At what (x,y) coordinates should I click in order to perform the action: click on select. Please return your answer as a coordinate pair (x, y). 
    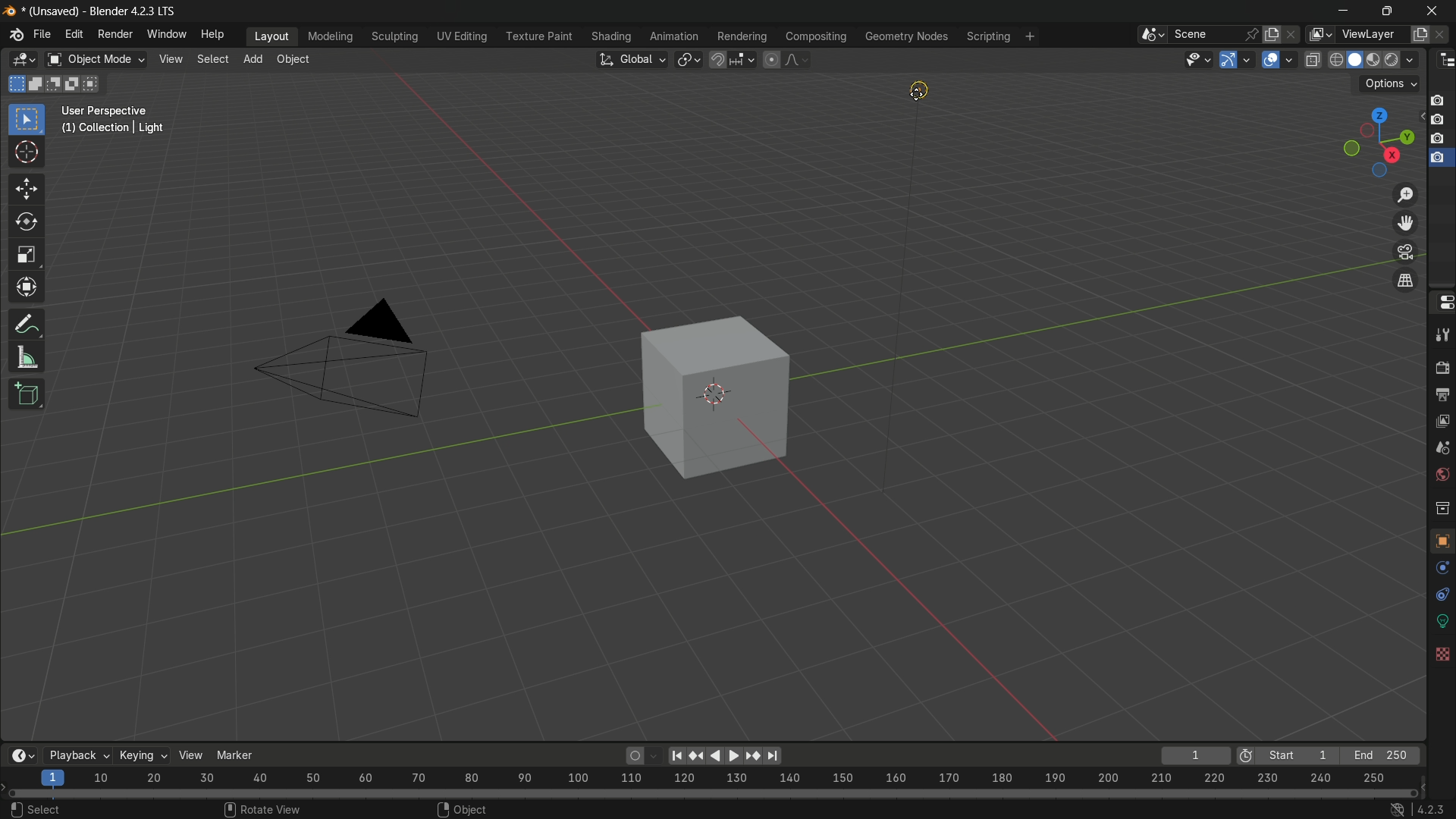
    Looking at the image, I should click on (35, 808).